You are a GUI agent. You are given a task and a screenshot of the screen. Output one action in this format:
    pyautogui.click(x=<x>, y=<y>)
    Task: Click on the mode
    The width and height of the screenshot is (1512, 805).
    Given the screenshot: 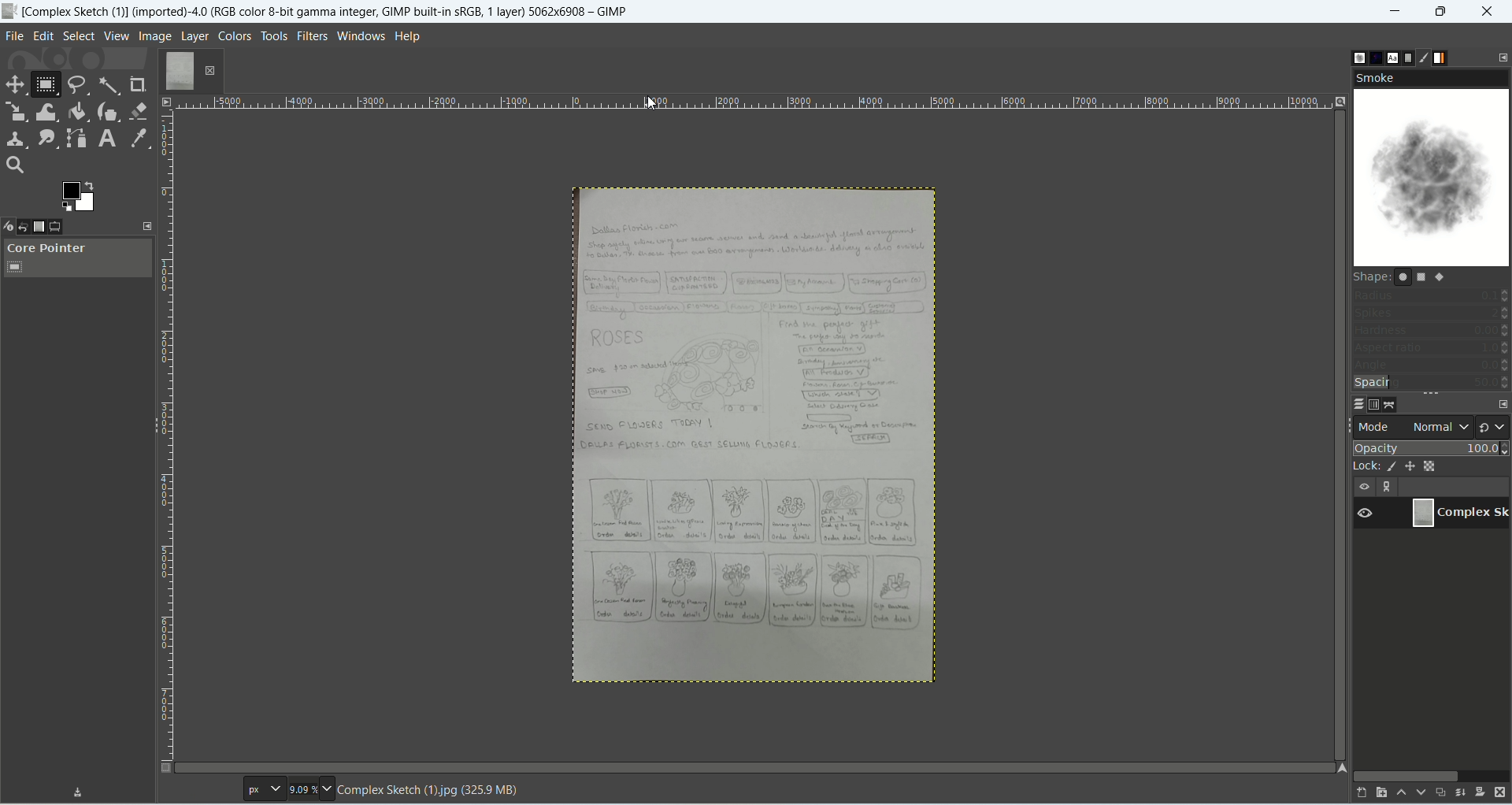 What is the action you would take?
    pyautogui.click(x=1377, y=427)
    